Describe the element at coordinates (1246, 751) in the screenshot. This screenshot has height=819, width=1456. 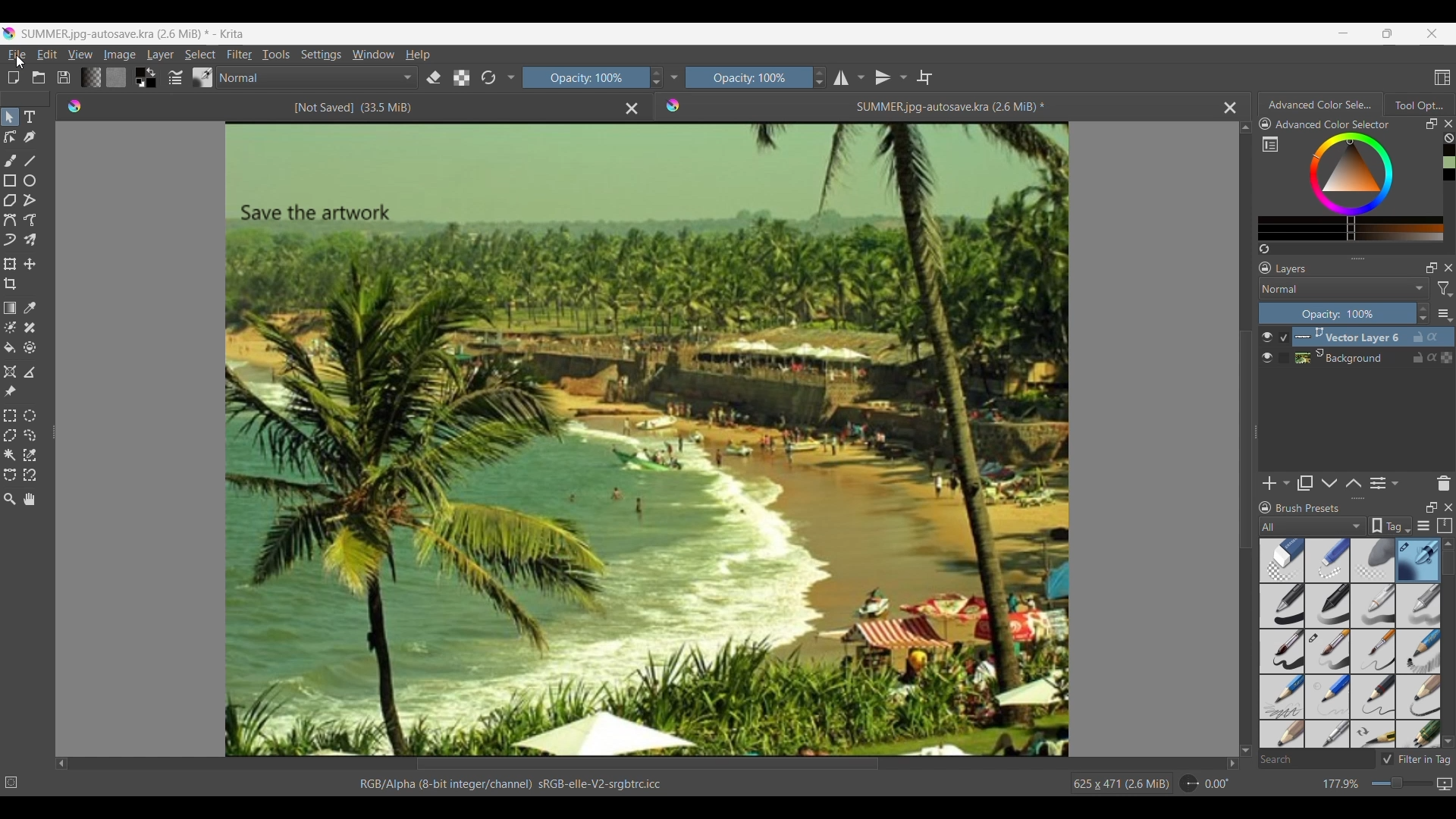
I see `Quick slide to bottom` at that location.